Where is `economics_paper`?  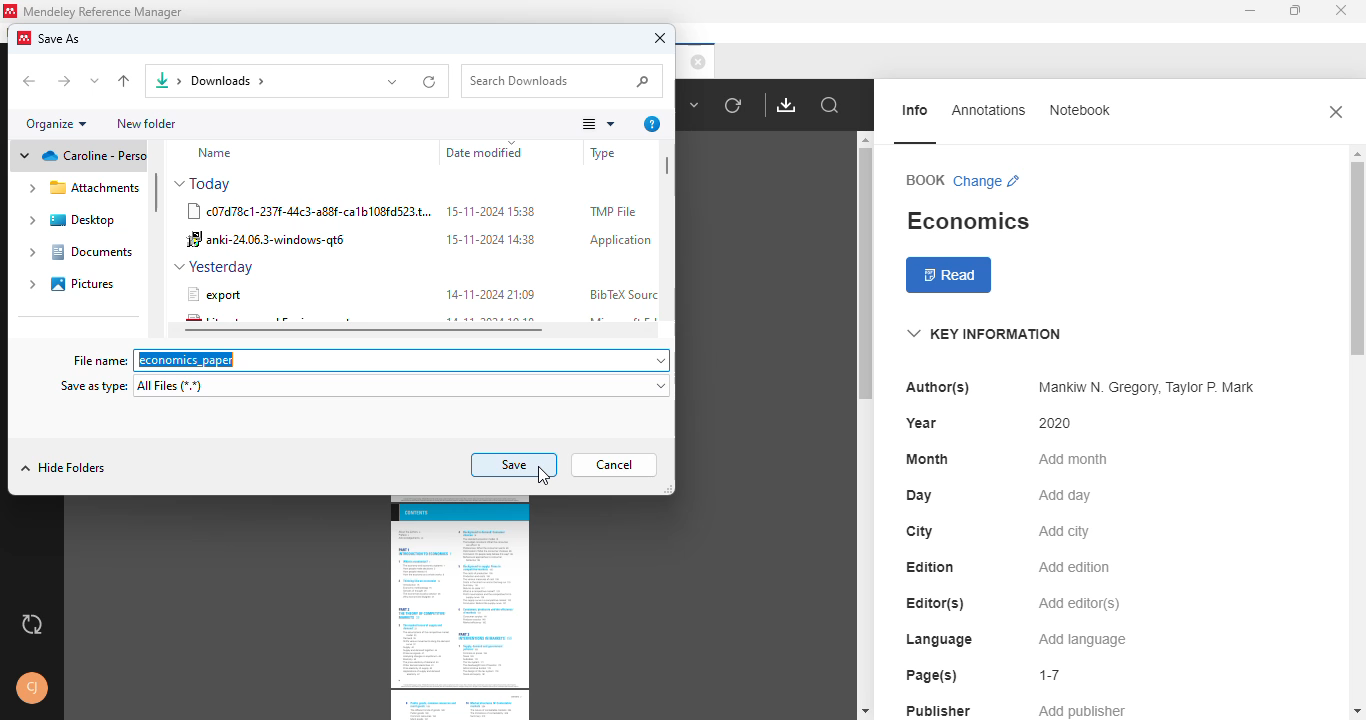 economics_paper is located at coordinates (405, 360).